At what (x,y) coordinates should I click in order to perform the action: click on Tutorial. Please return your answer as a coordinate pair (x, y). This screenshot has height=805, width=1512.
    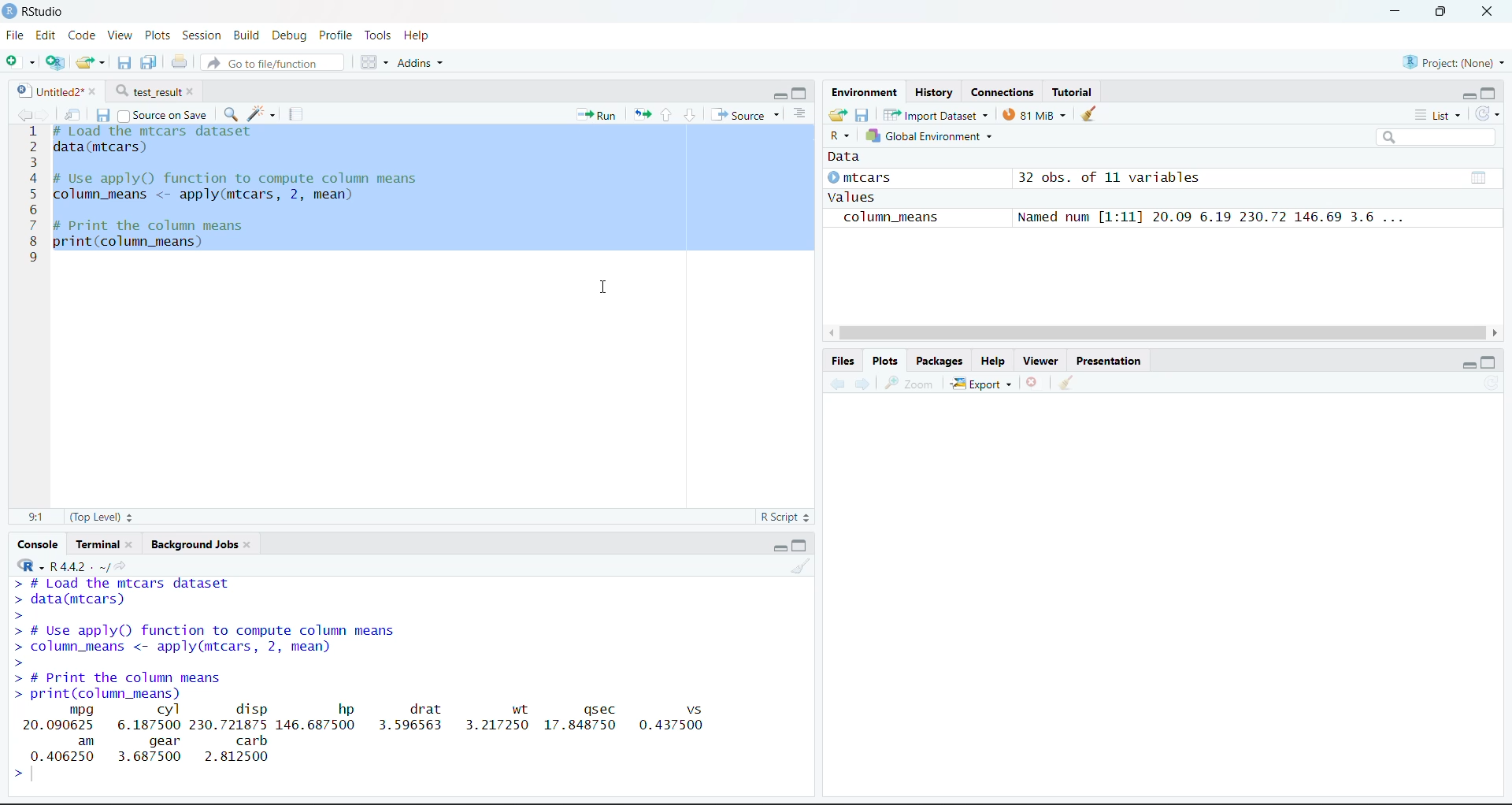
    Looking at the image, I should click on (1077, 90).